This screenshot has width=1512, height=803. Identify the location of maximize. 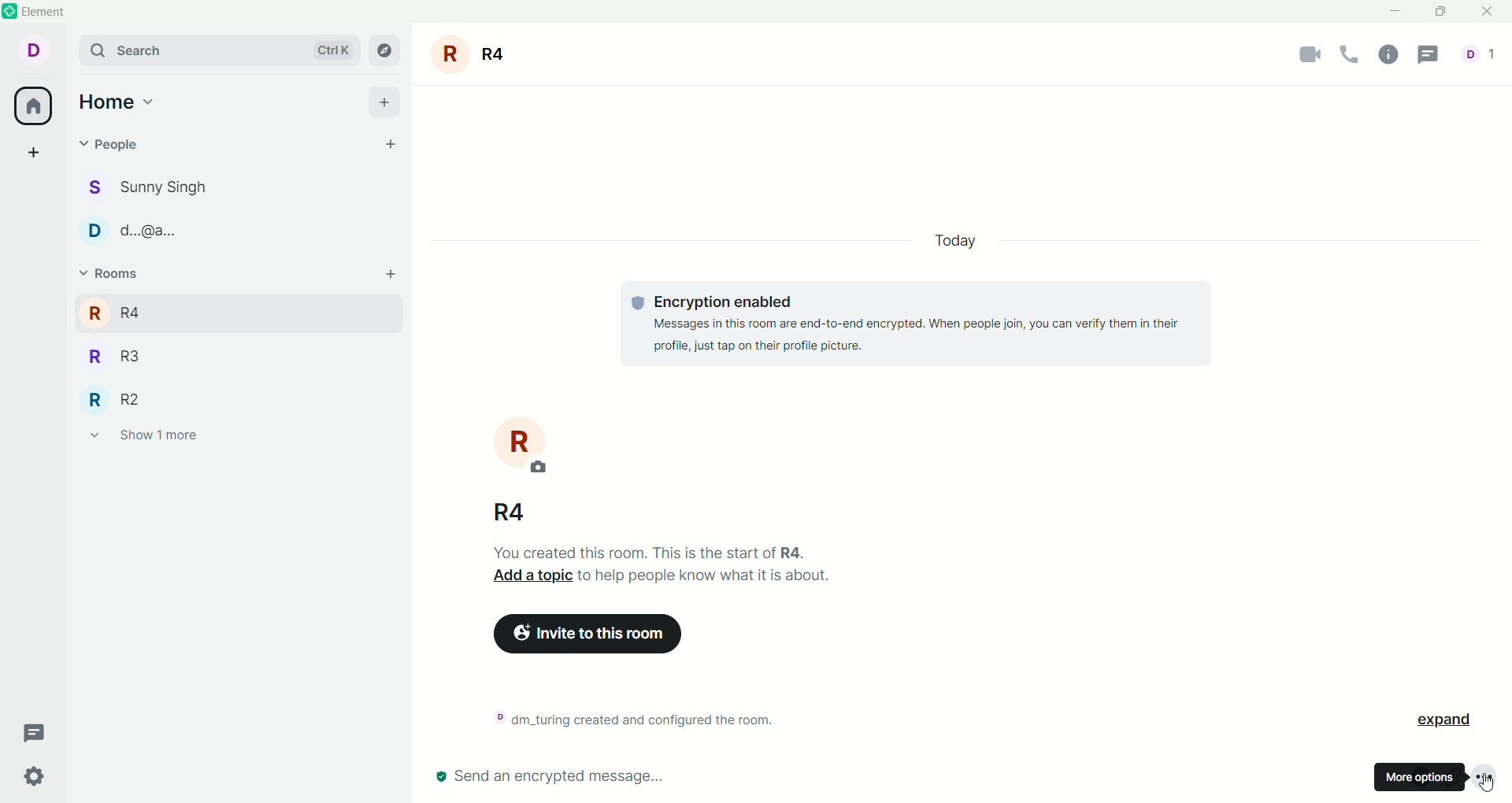
(1445, 13).